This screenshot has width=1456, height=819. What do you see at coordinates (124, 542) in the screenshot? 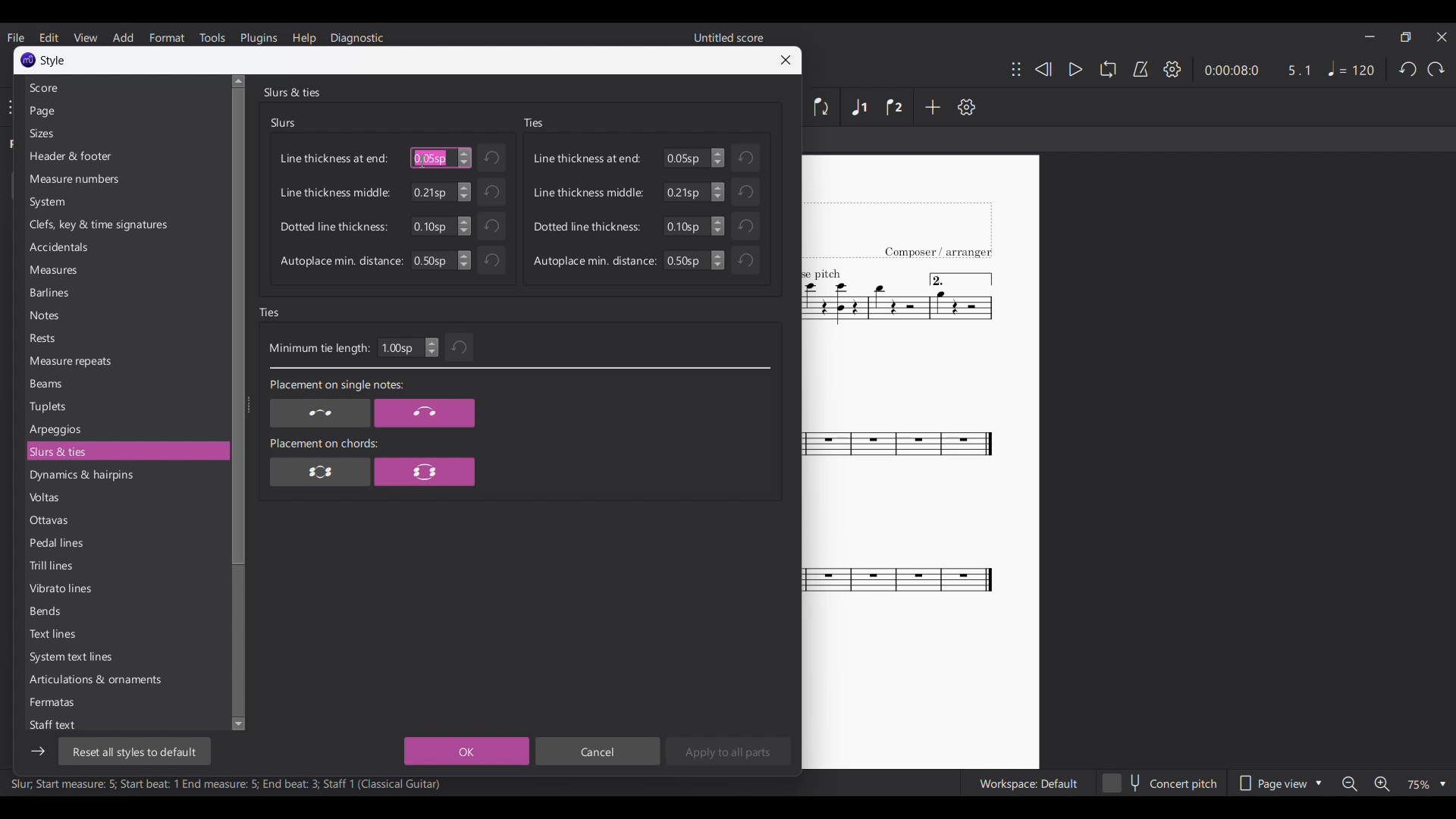
I see `Pedal lines` at bounding box center [124, 542].